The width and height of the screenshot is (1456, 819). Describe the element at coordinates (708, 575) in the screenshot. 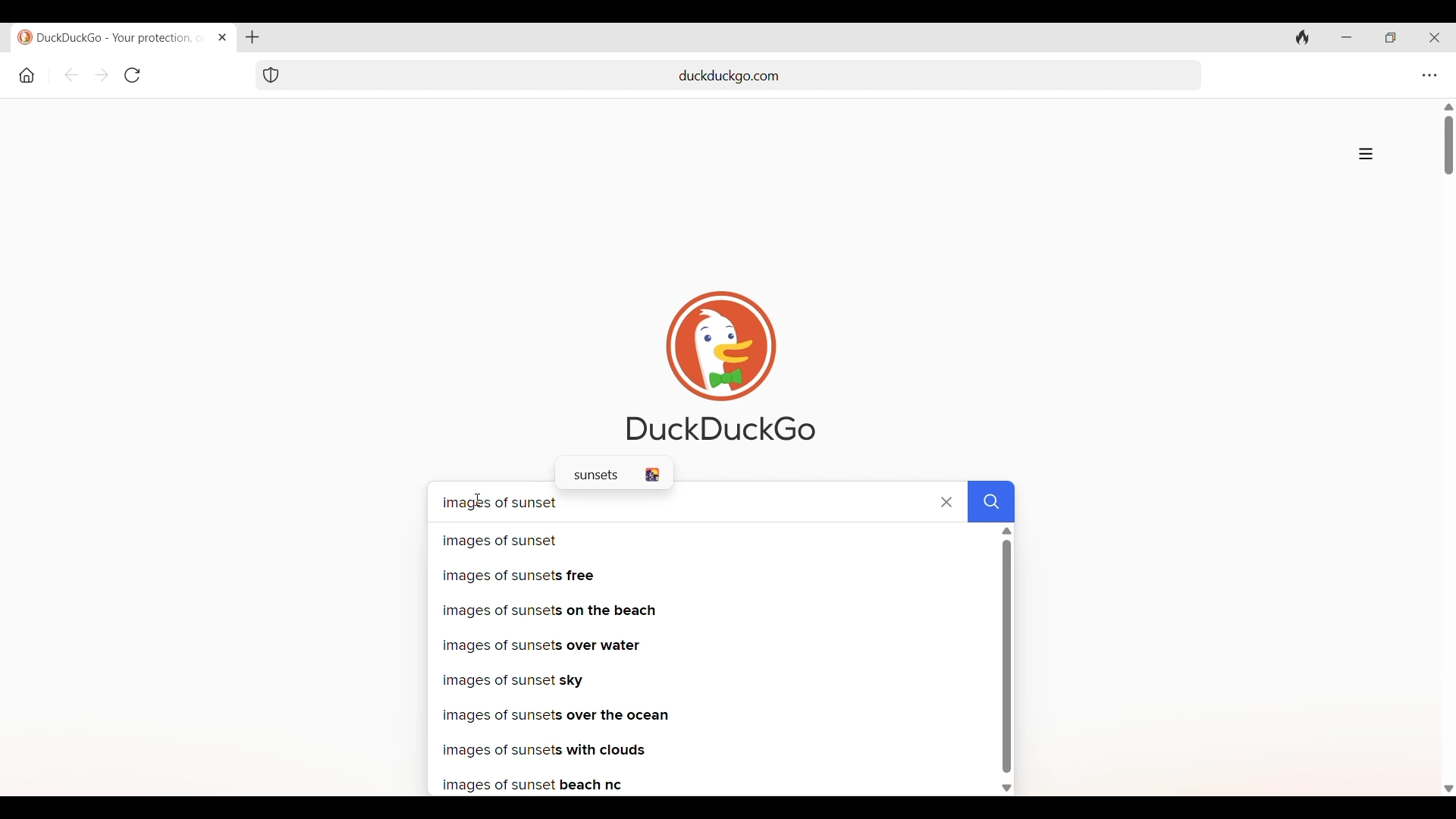

I see `Images of sunsets free ` at that location.